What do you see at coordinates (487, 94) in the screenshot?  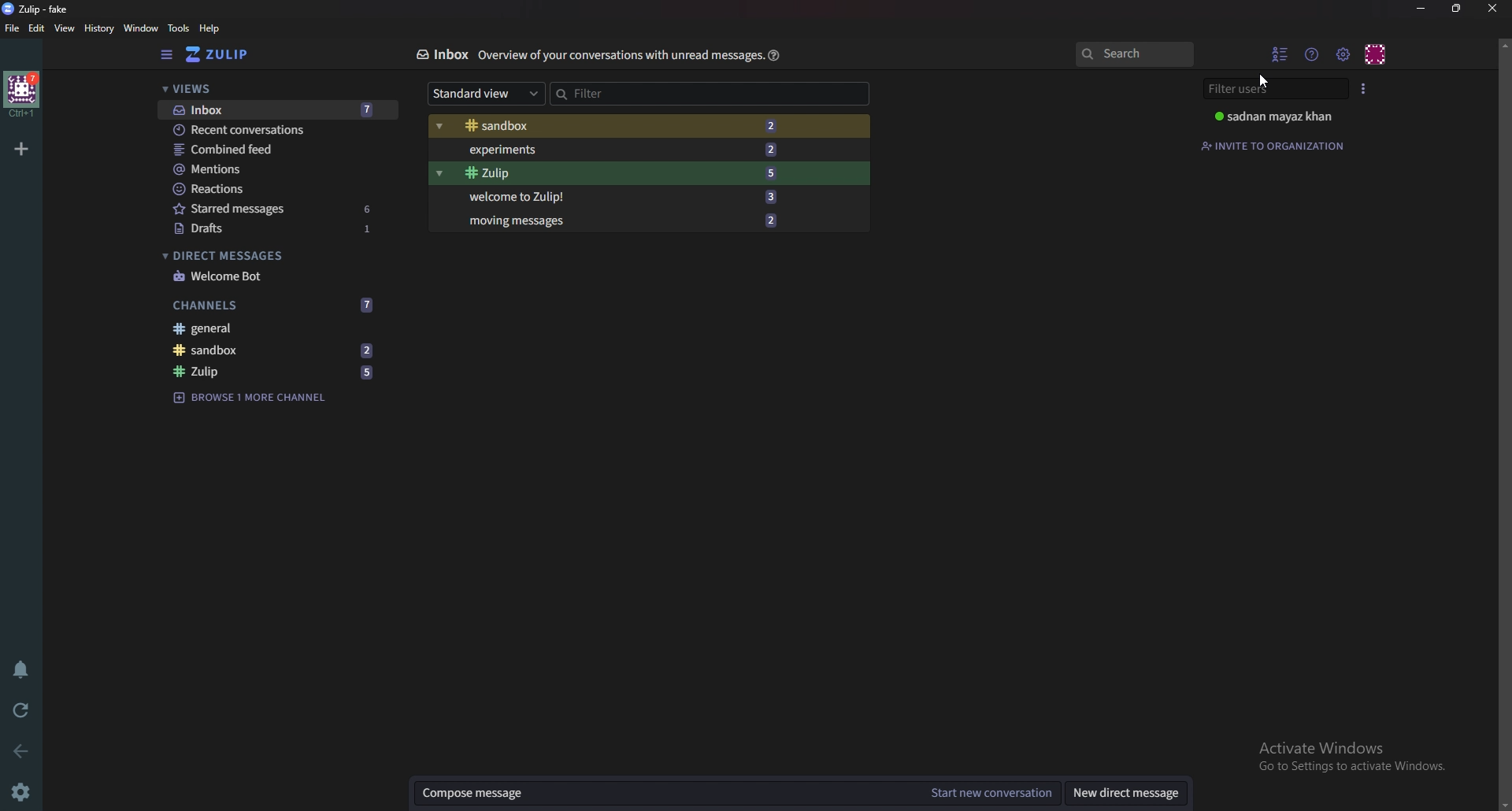 I see `Standard view` at bounding box center [487, 94].